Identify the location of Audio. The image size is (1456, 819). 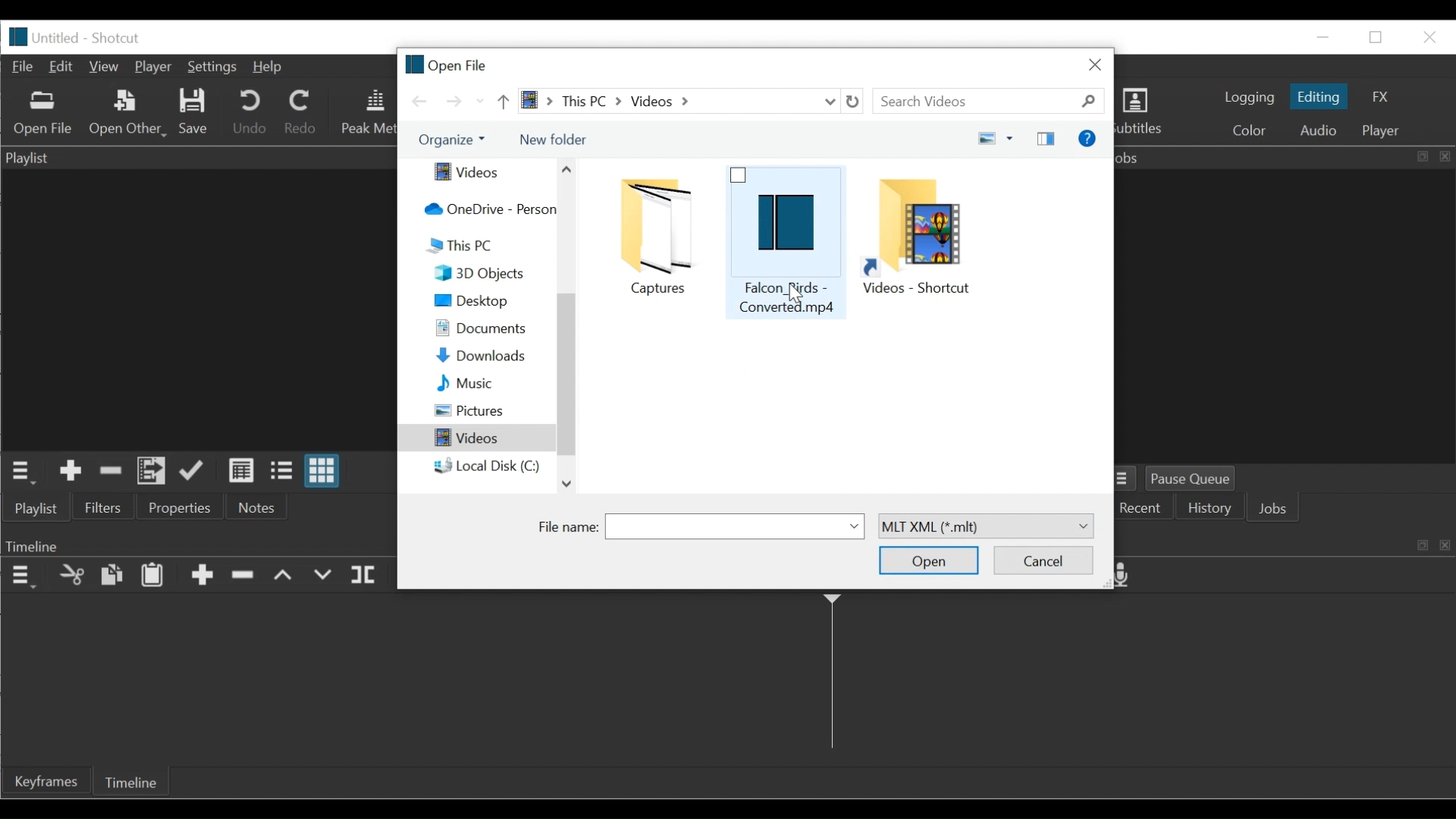
(1320, 130).